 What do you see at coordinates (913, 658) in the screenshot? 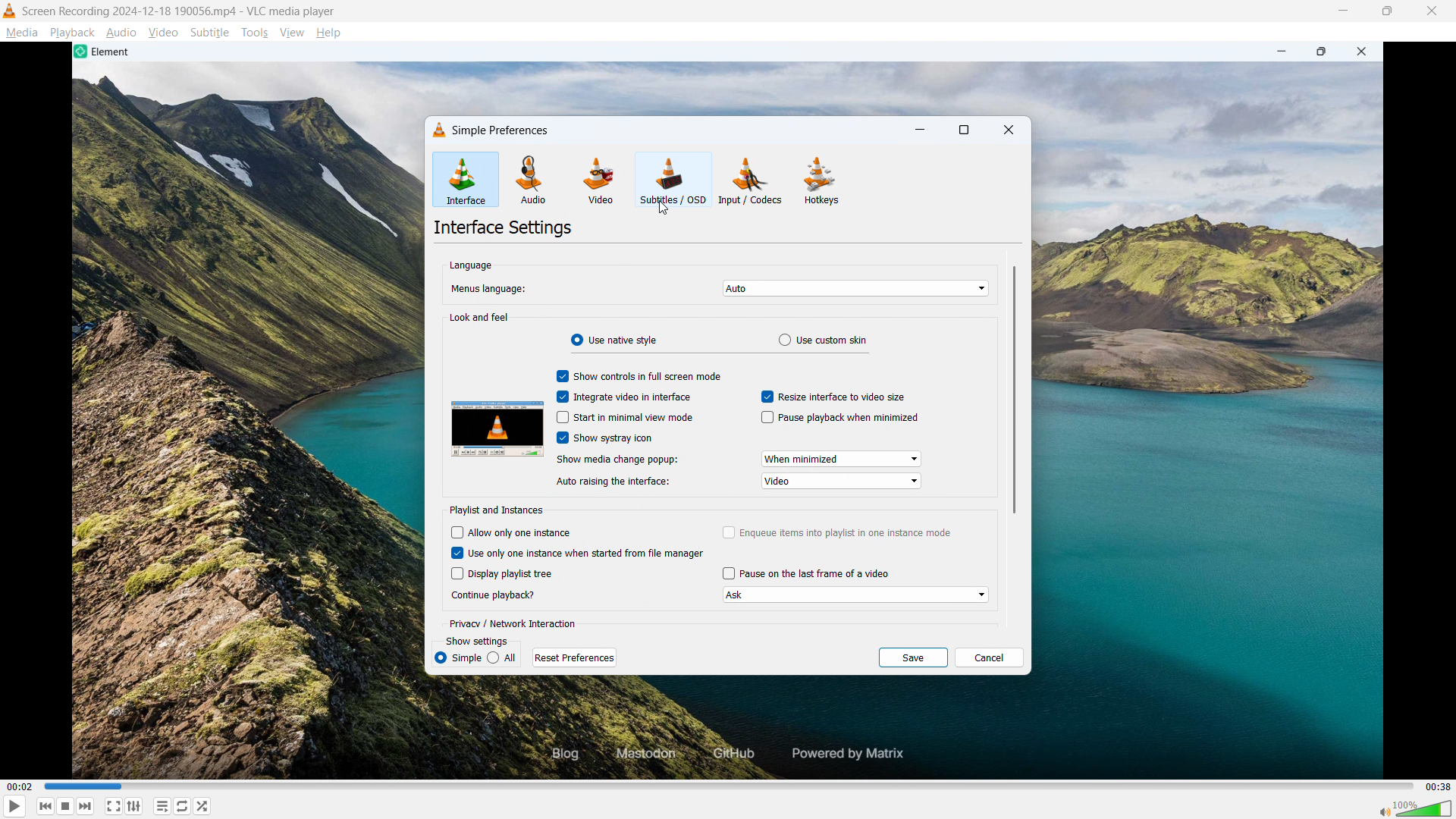
I see `save` at bounding box center [913, 658].